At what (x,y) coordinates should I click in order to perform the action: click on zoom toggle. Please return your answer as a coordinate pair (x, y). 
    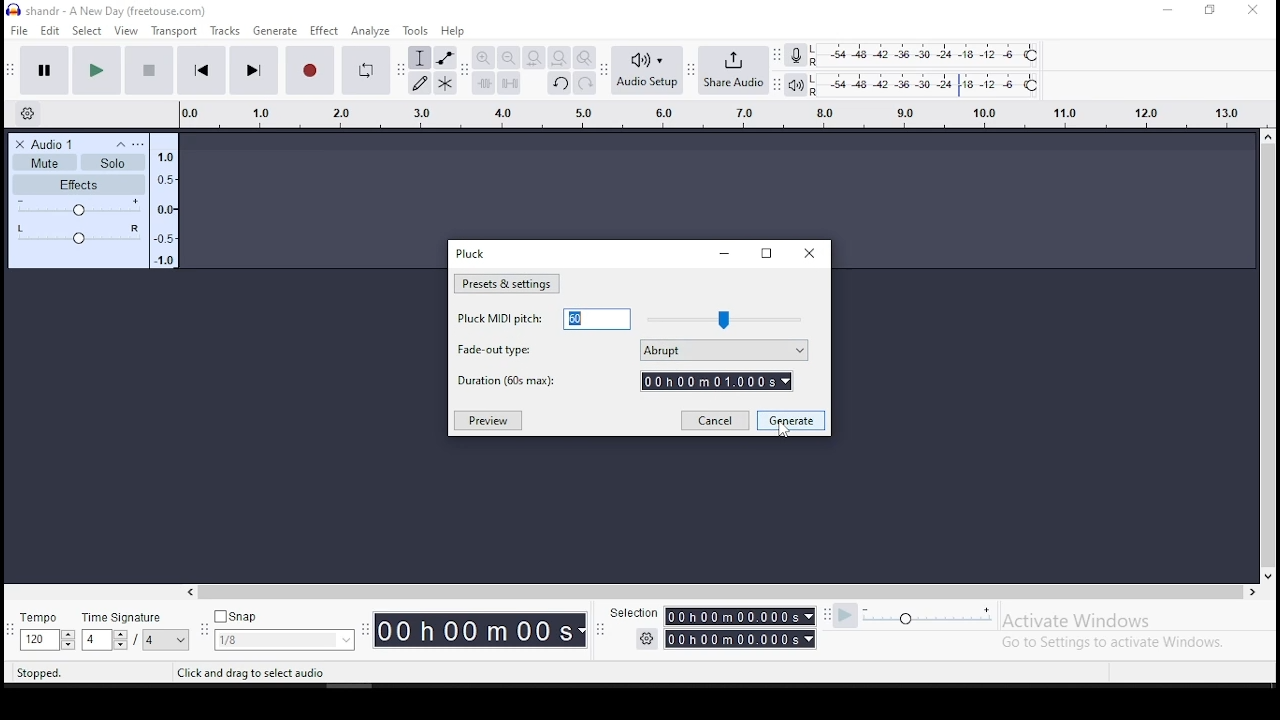
    Looking at the image, I should click on (586, 58).